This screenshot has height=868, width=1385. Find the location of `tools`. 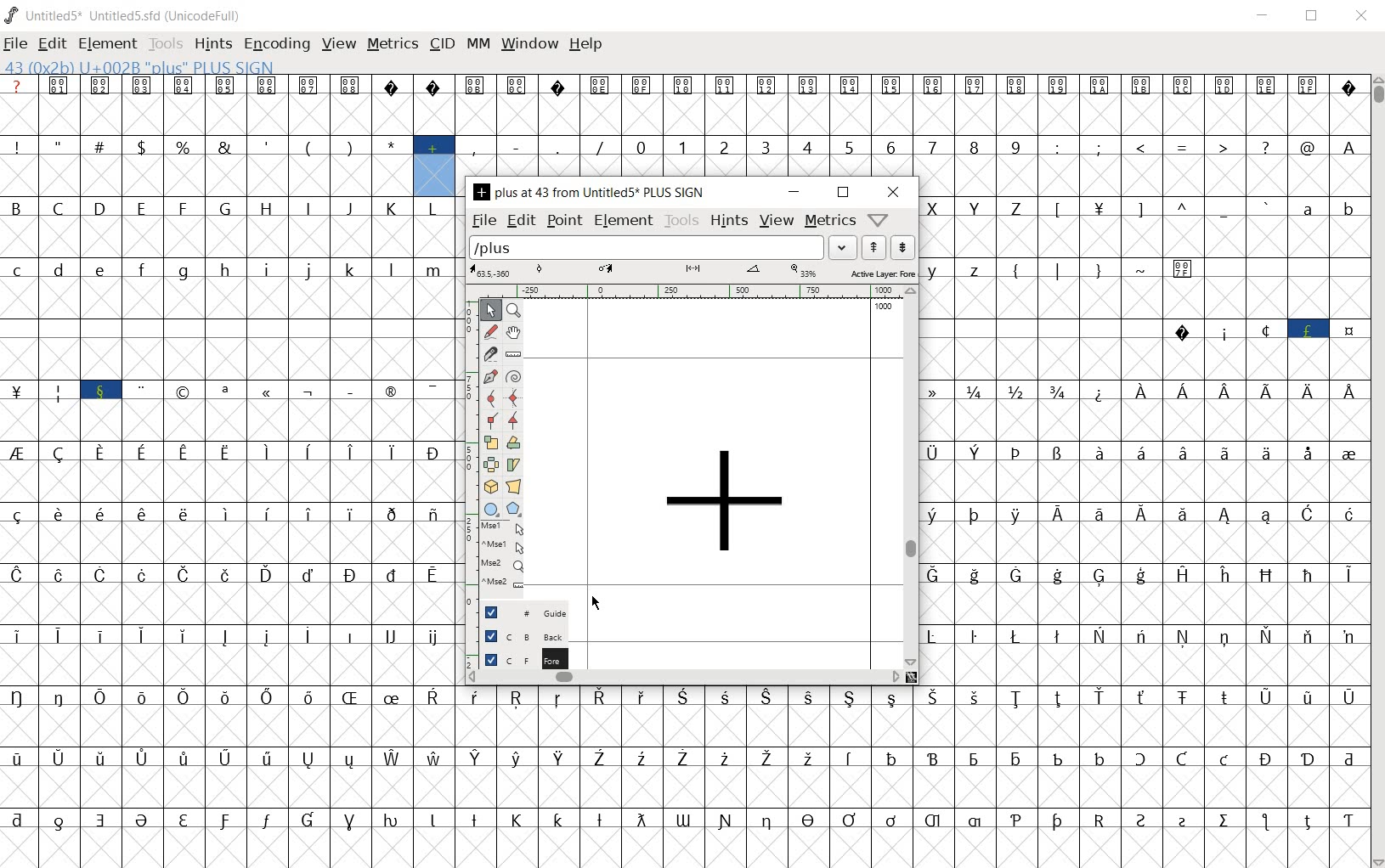

tools is located at coordinates (164, 42).